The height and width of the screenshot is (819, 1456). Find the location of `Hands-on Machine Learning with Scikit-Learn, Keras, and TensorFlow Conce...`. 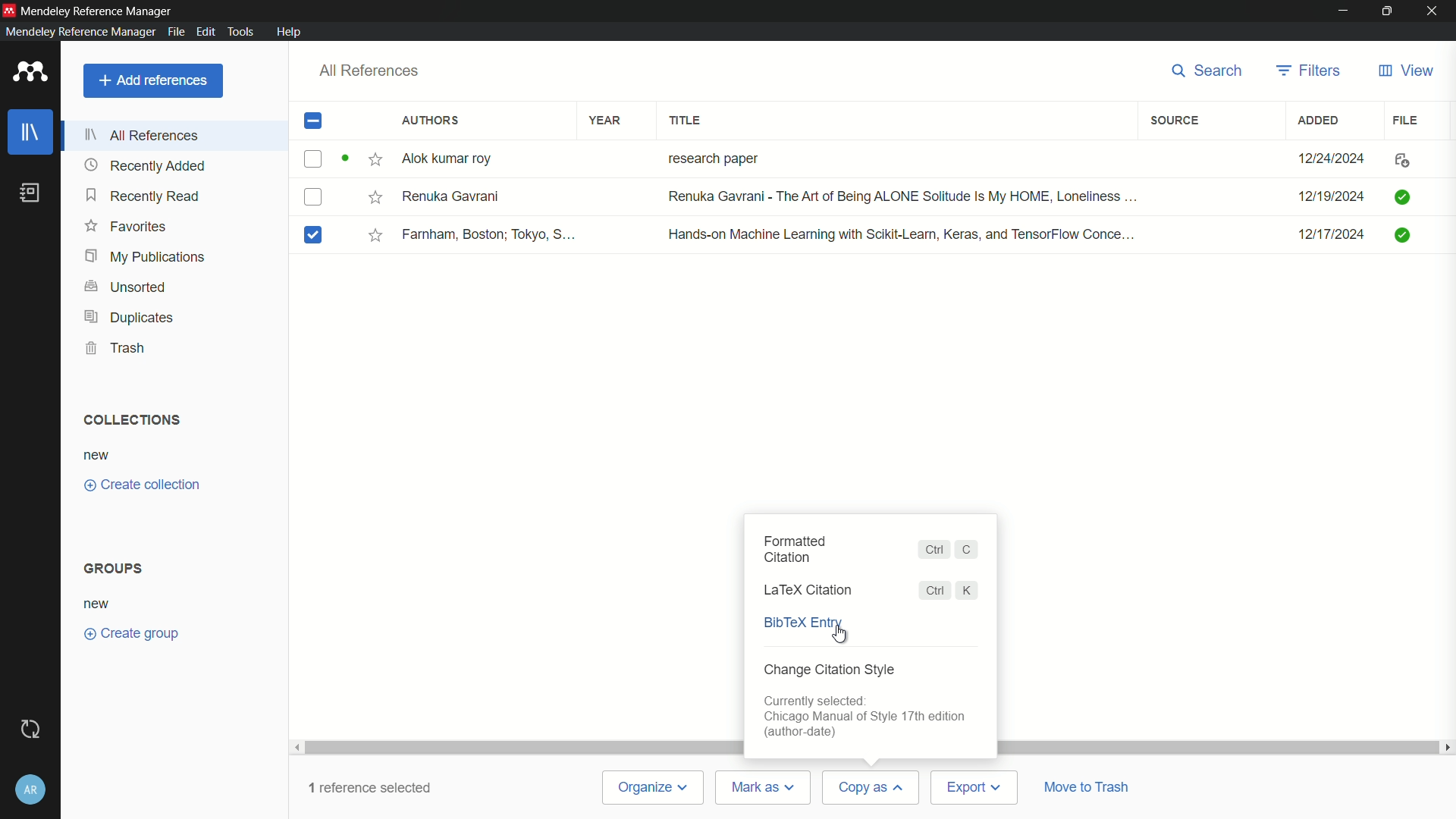

Hands-on Machine Learning with Scikit-Learn, Keras, and TensorFlow Conce... is located at coordinates (902, 232).